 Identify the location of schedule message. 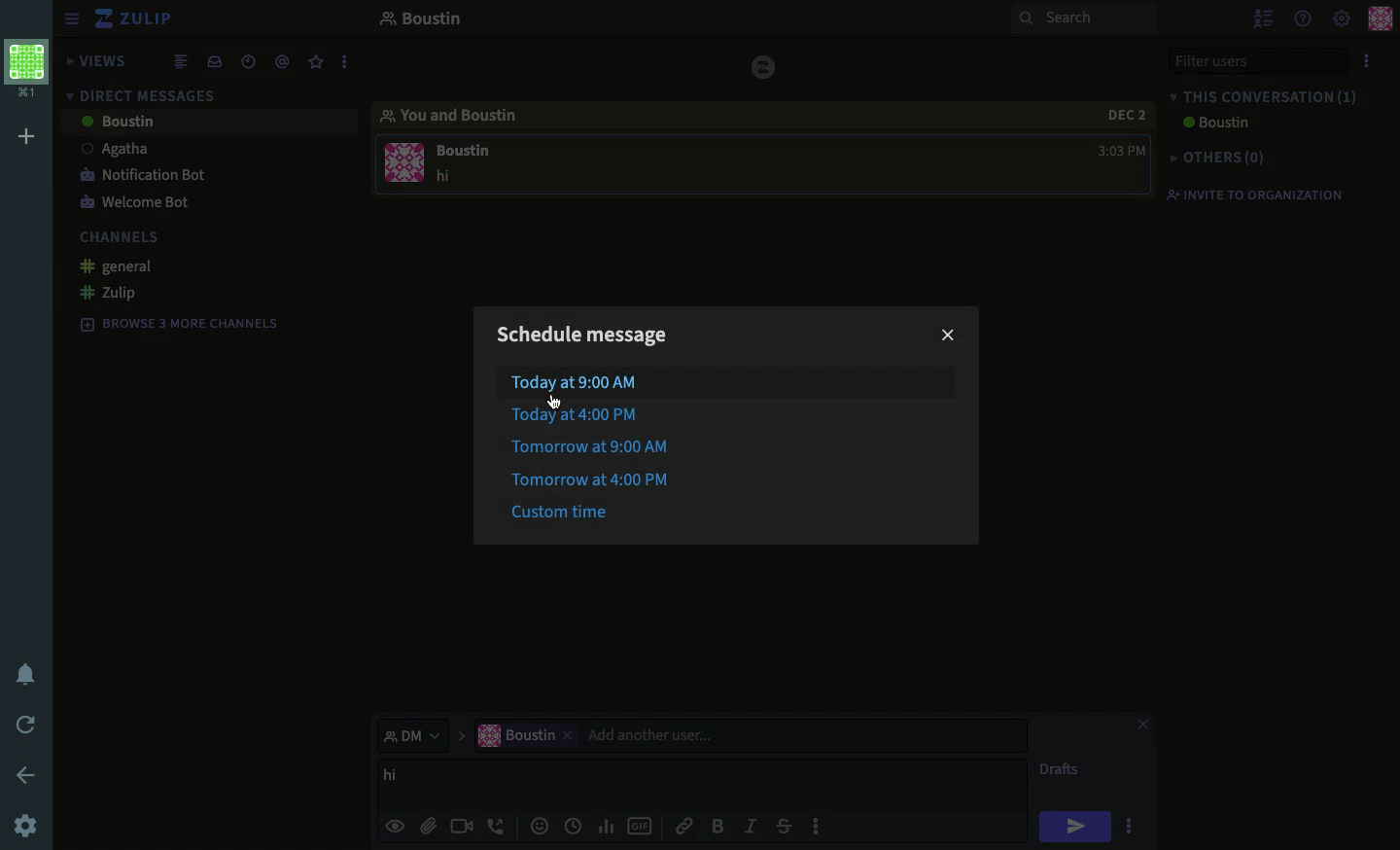
(582, 337).